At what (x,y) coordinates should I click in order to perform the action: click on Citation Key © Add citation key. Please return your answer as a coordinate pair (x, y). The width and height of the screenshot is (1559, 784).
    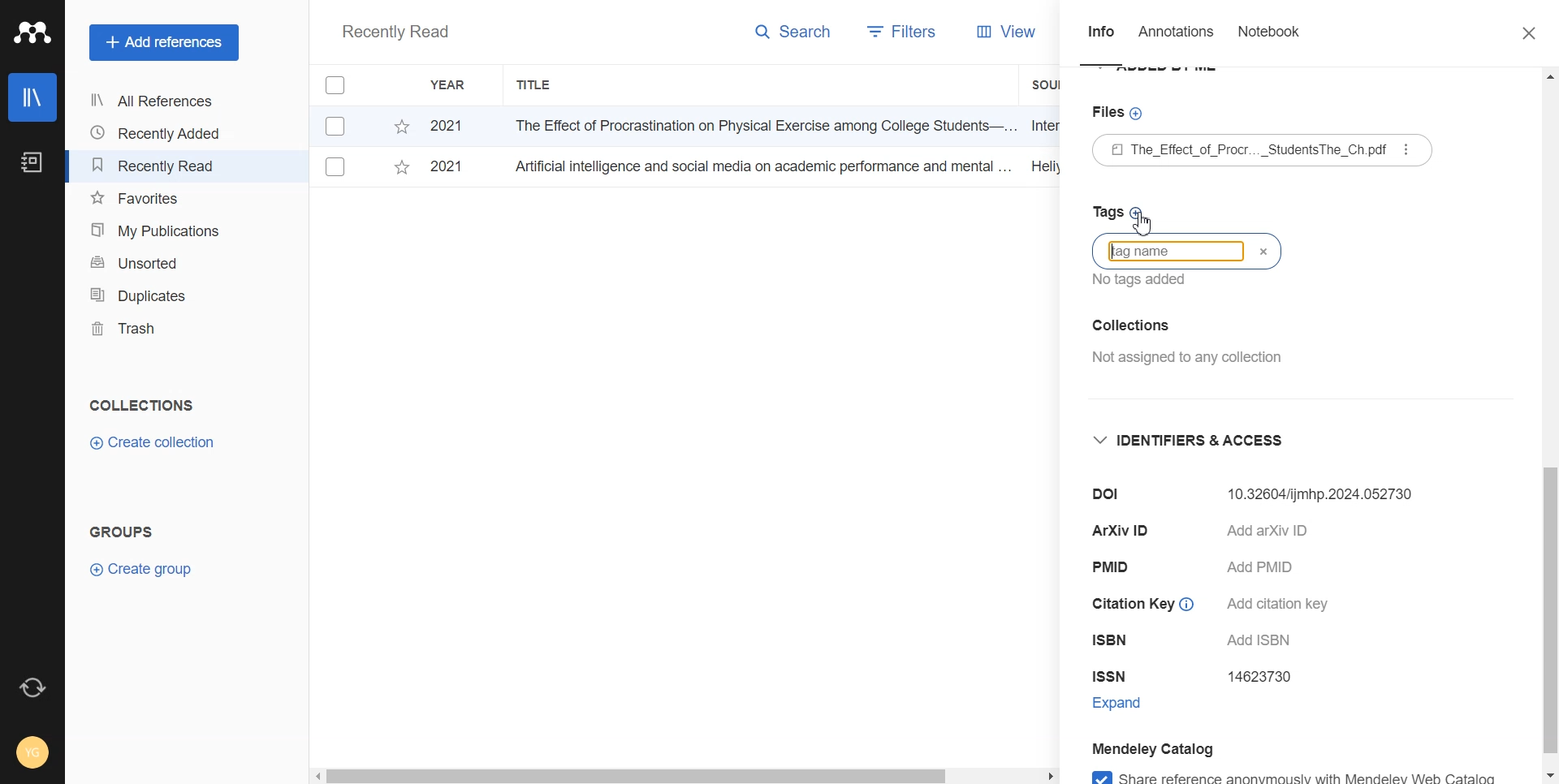
    Looking at the image, I should click on (1217, 603).